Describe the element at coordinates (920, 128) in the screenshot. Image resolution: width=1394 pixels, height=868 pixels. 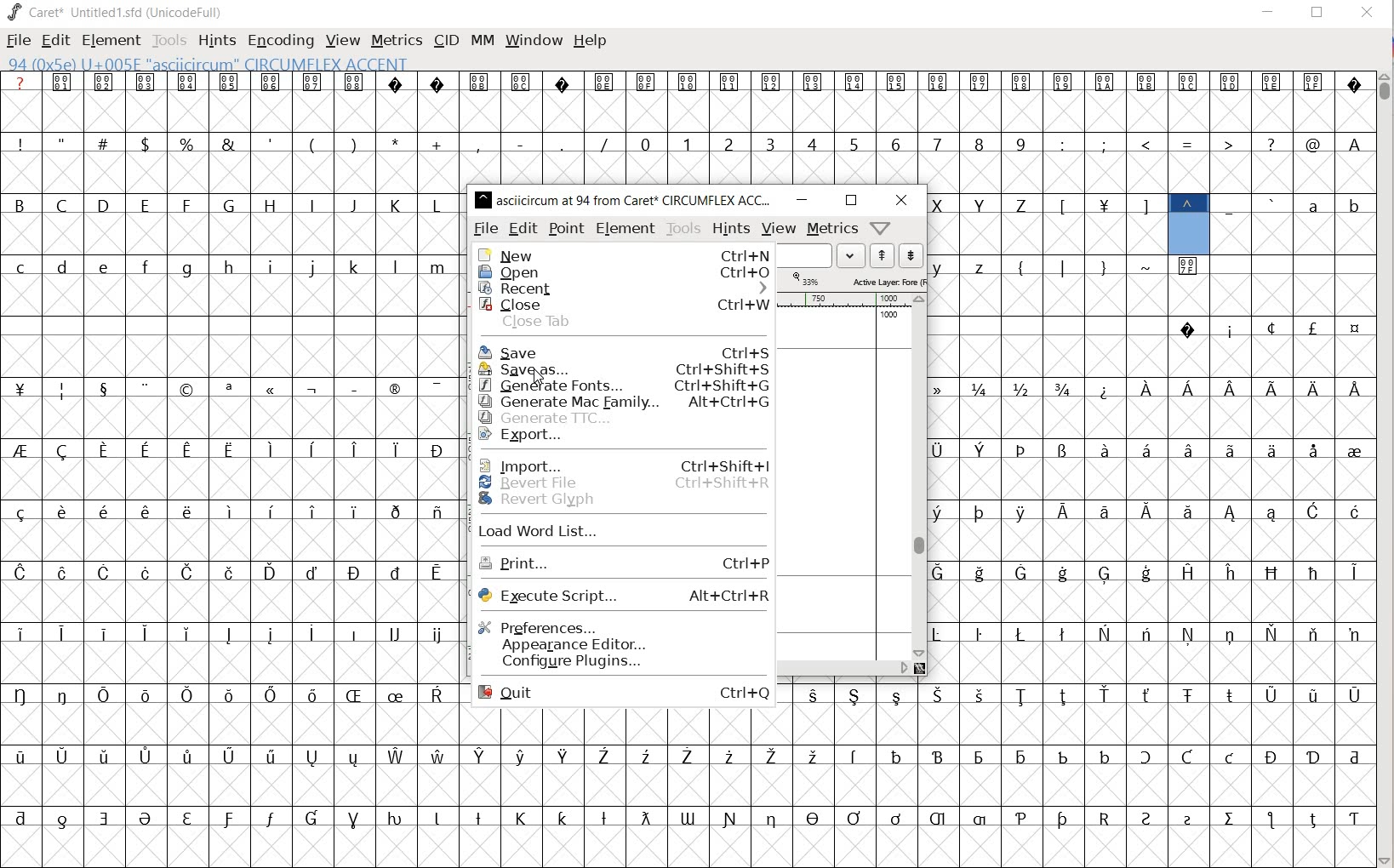
I see `glyph characters` at that location.